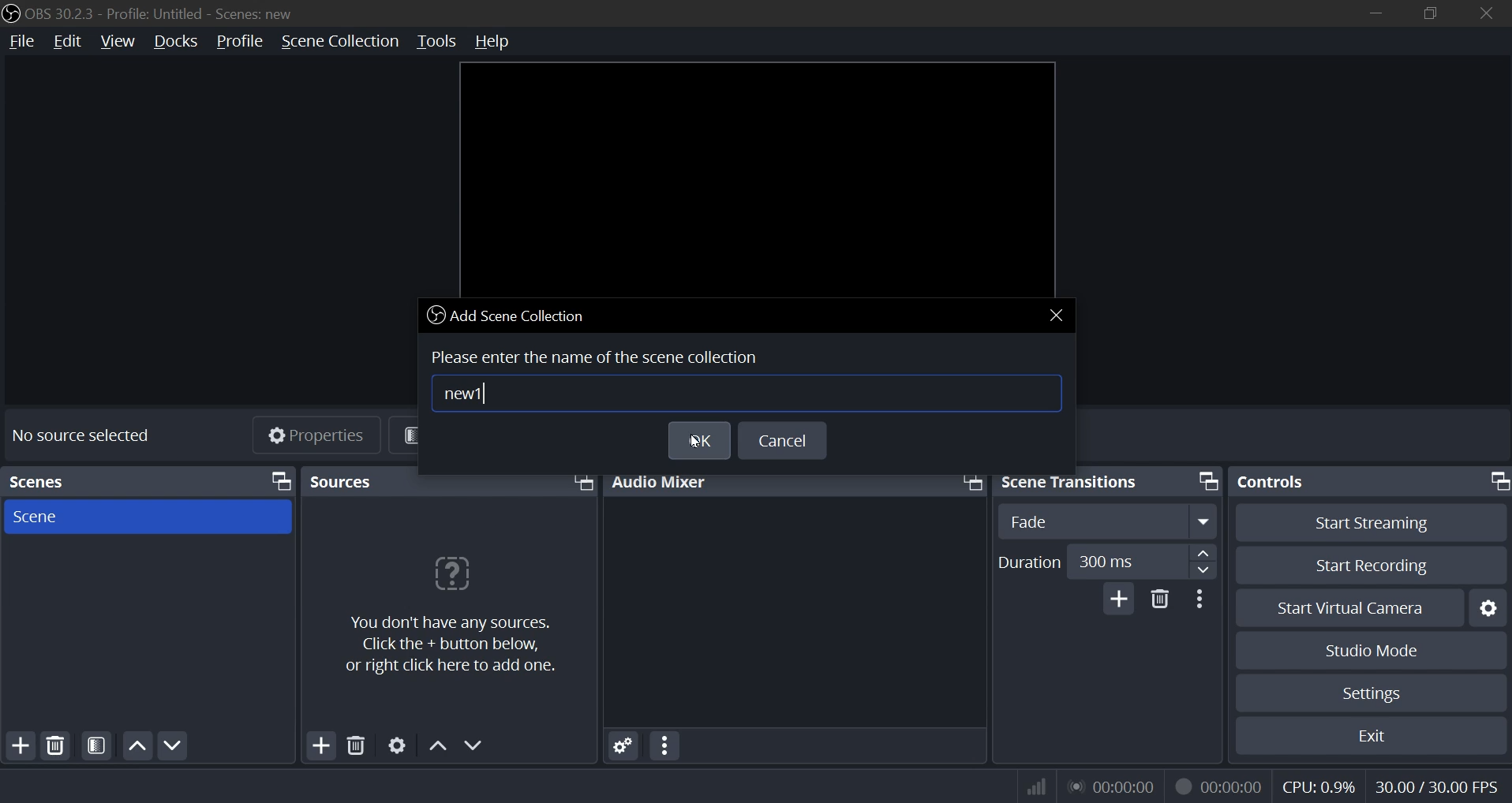 The image size is (1512, 803). What do you see at coordinates (695, 443) in the screenshot?
I see `cursor` at bounding box center [695, 443].